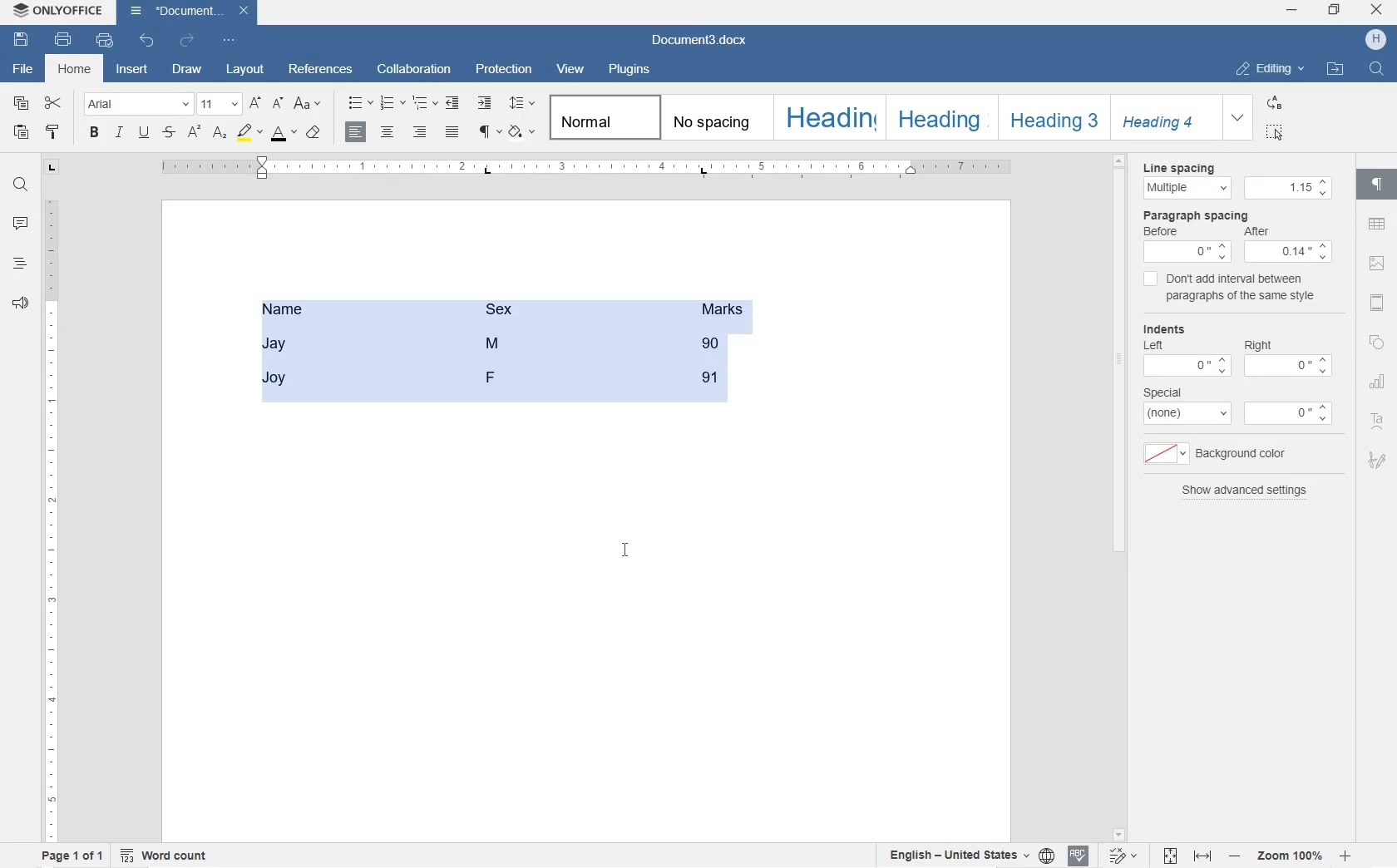  What do you see at coordinates (1187, 417) in the screenshot?
I see `none` at bounding box center [1187, 417].